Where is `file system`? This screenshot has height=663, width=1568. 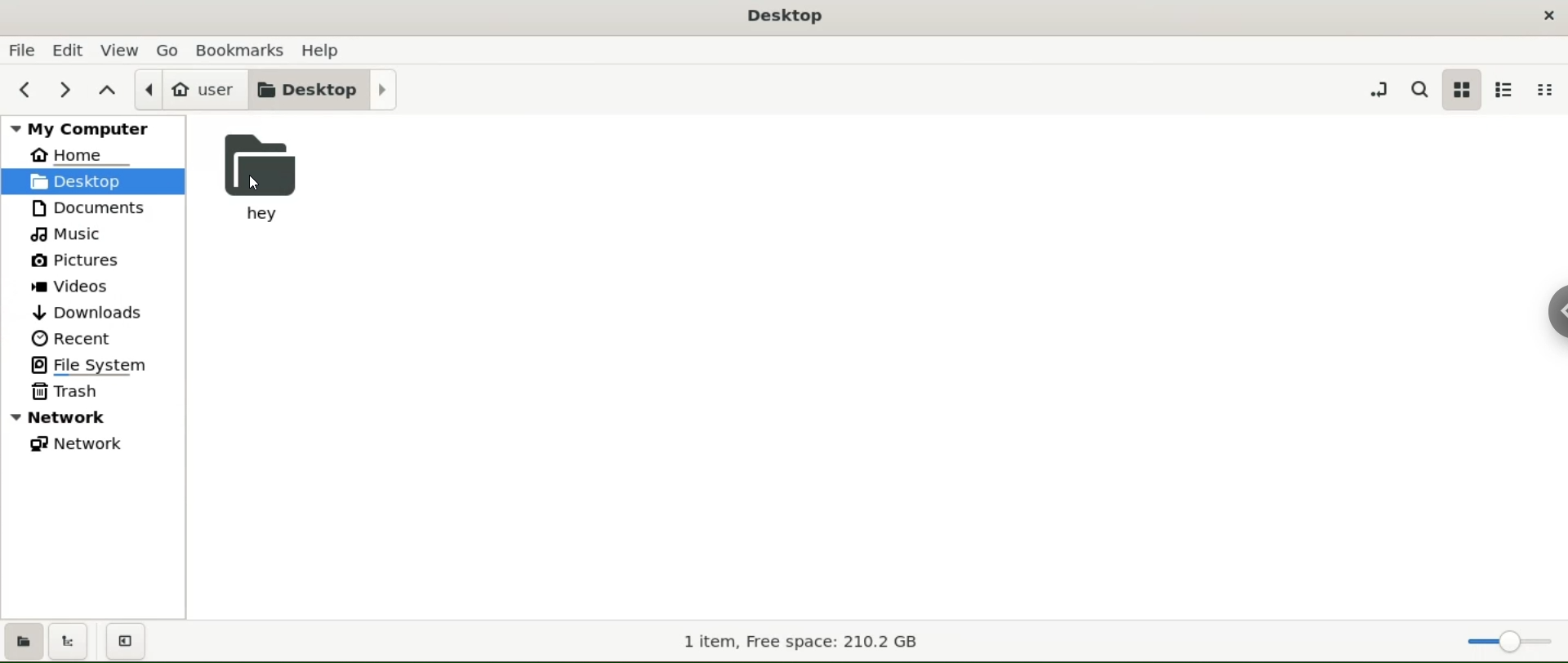 file system is located at coordinates (94, 366).